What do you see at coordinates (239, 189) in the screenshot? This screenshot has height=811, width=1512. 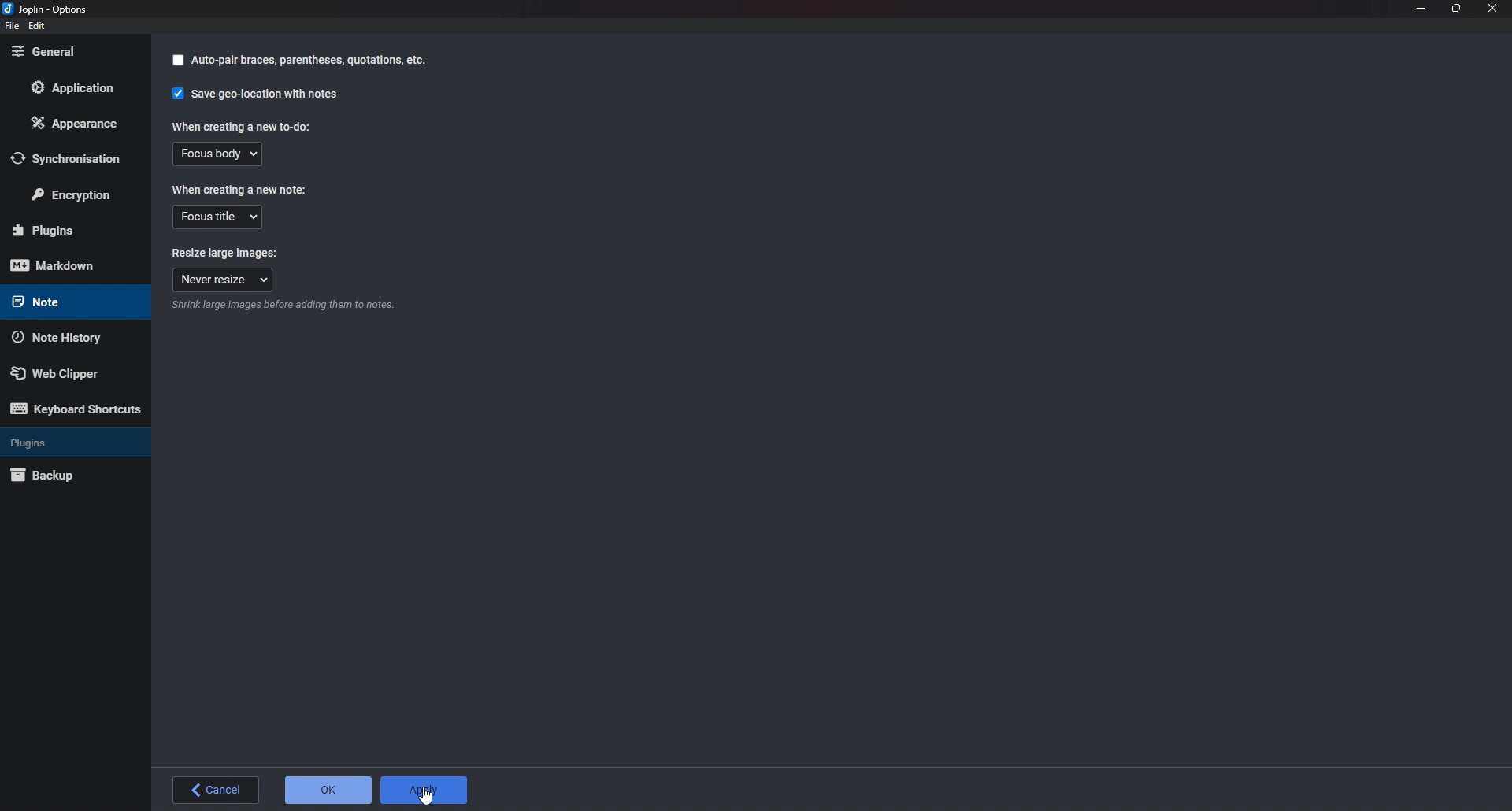 I see `When creating a new note` at bounding box center [239, 189].